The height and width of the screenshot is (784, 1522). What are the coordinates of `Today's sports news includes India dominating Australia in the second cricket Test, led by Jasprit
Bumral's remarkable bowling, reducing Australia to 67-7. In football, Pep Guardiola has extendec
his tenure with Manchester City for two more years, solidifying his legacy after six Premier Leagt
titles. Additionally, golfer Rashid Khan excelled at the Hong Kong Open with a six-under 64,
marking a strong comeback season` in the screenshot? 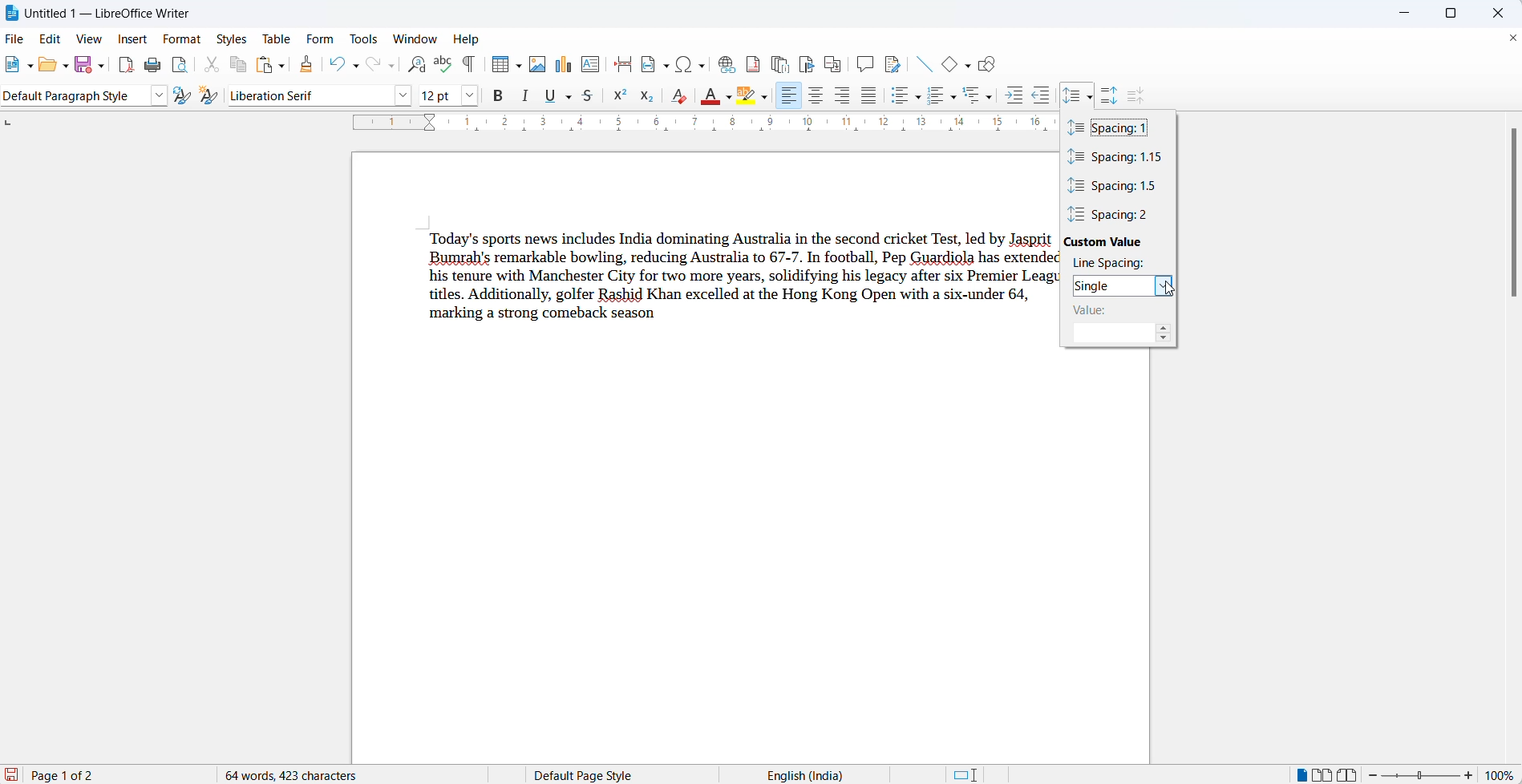 It's located at (734, 278).